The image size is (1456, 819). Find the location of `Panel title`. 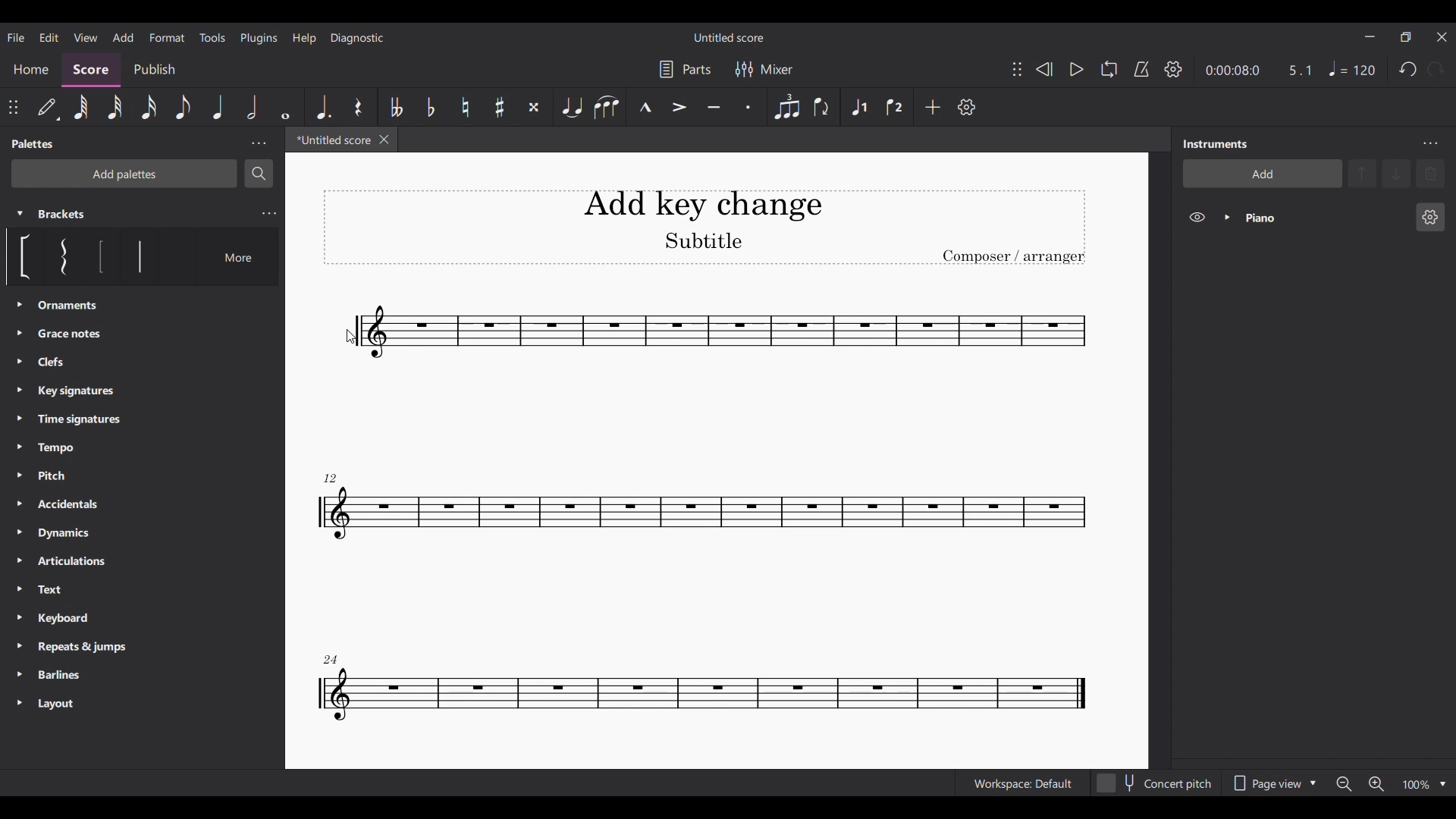

Panel title is located at coordinates (1216, 143).